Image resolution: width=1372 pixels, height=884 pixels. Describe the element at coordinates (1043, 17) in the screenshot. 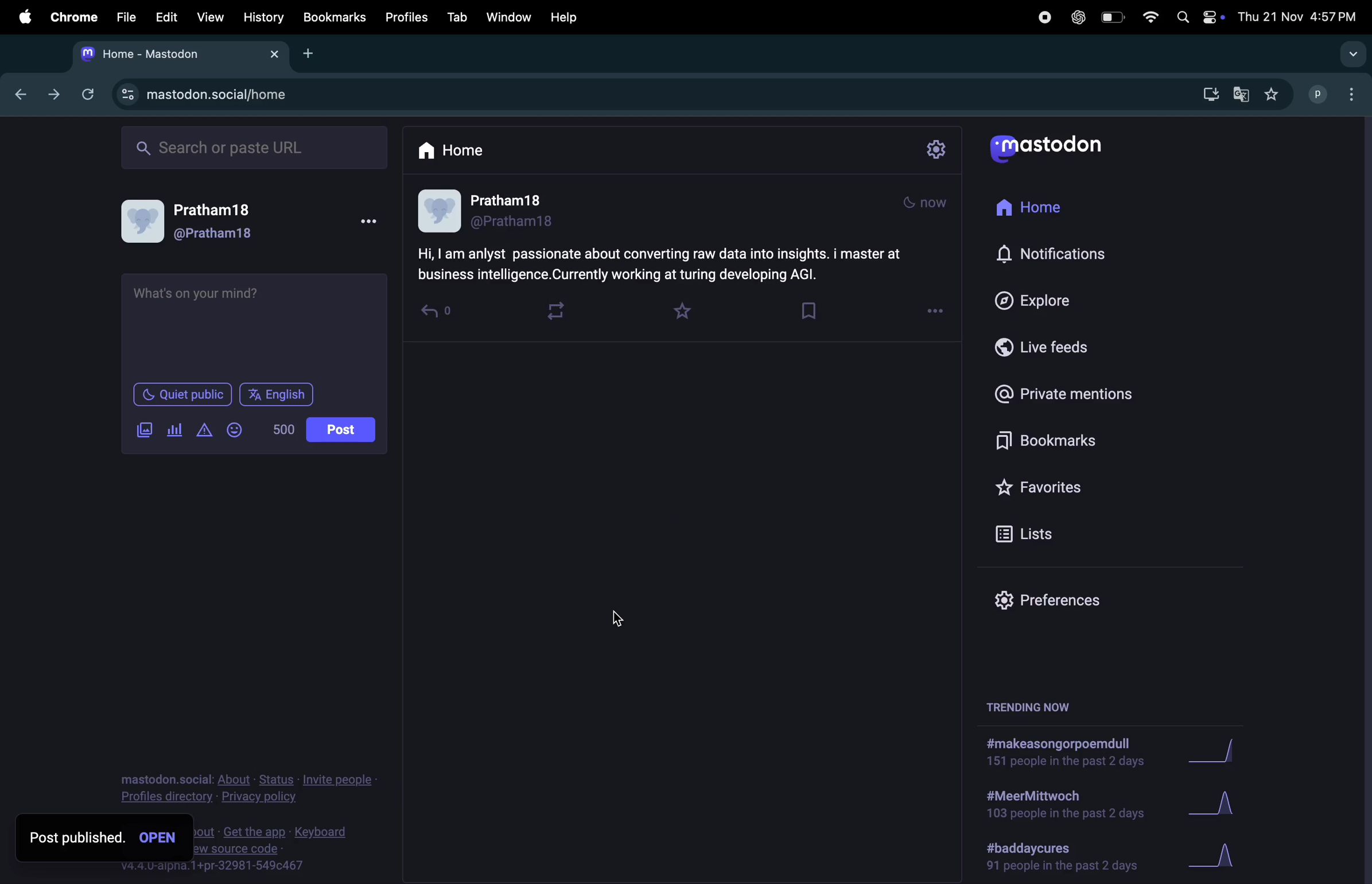

I see `record` at that location.